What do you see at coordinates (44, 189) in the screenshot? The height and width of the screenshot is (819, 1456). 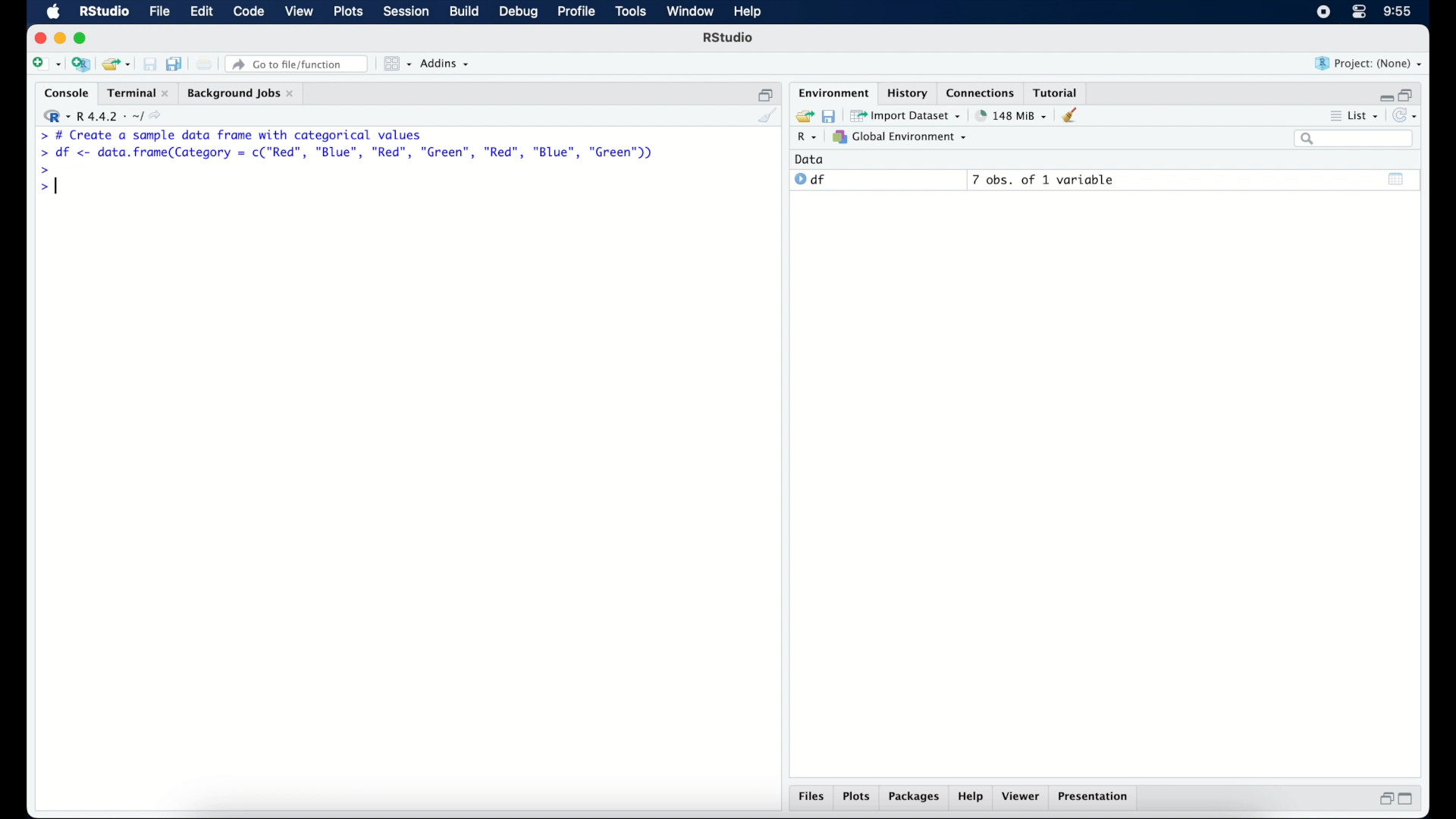 I see `command prompt` at bounding box center [44, 189].